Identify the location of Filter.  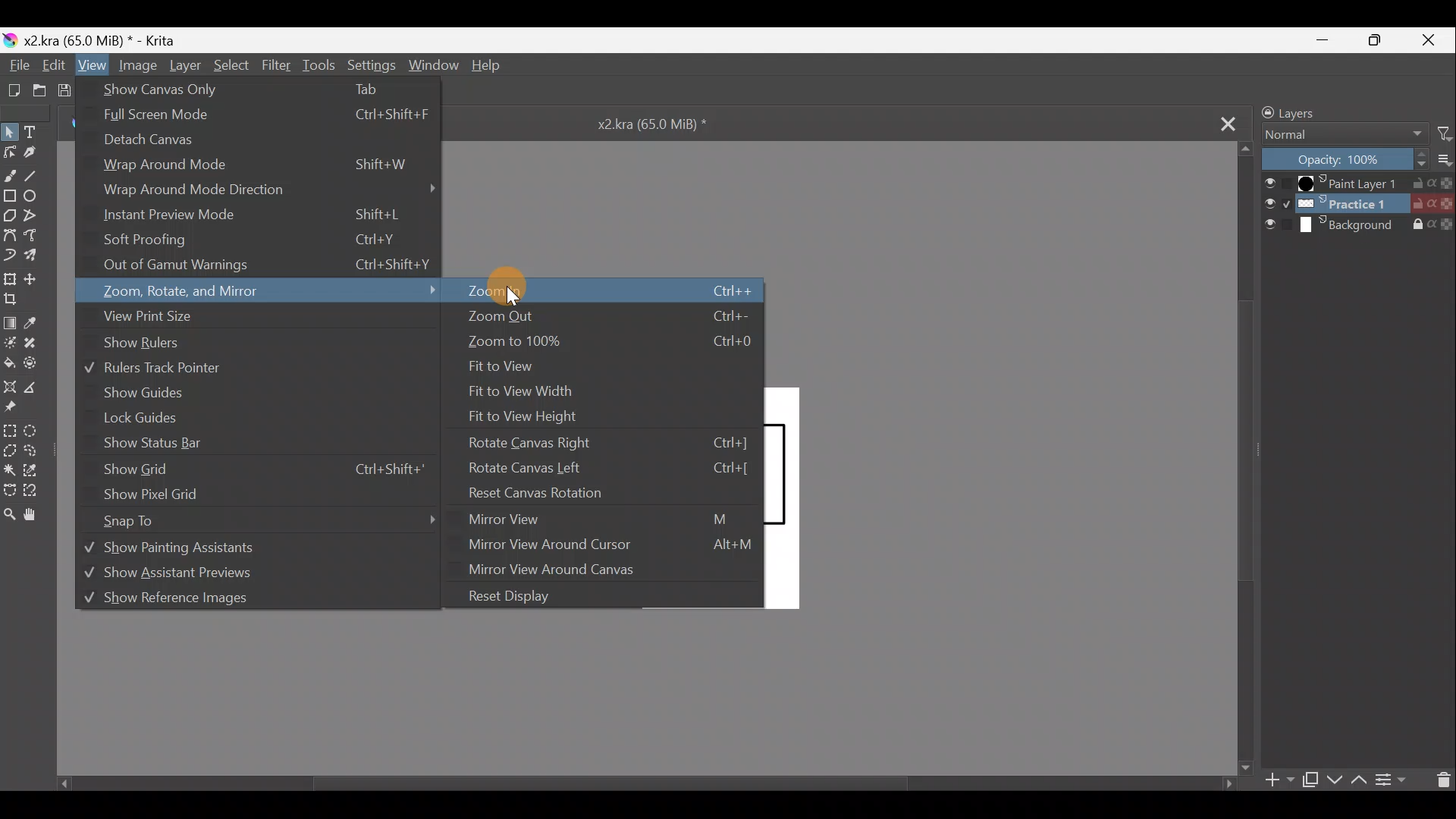
(277, 64).